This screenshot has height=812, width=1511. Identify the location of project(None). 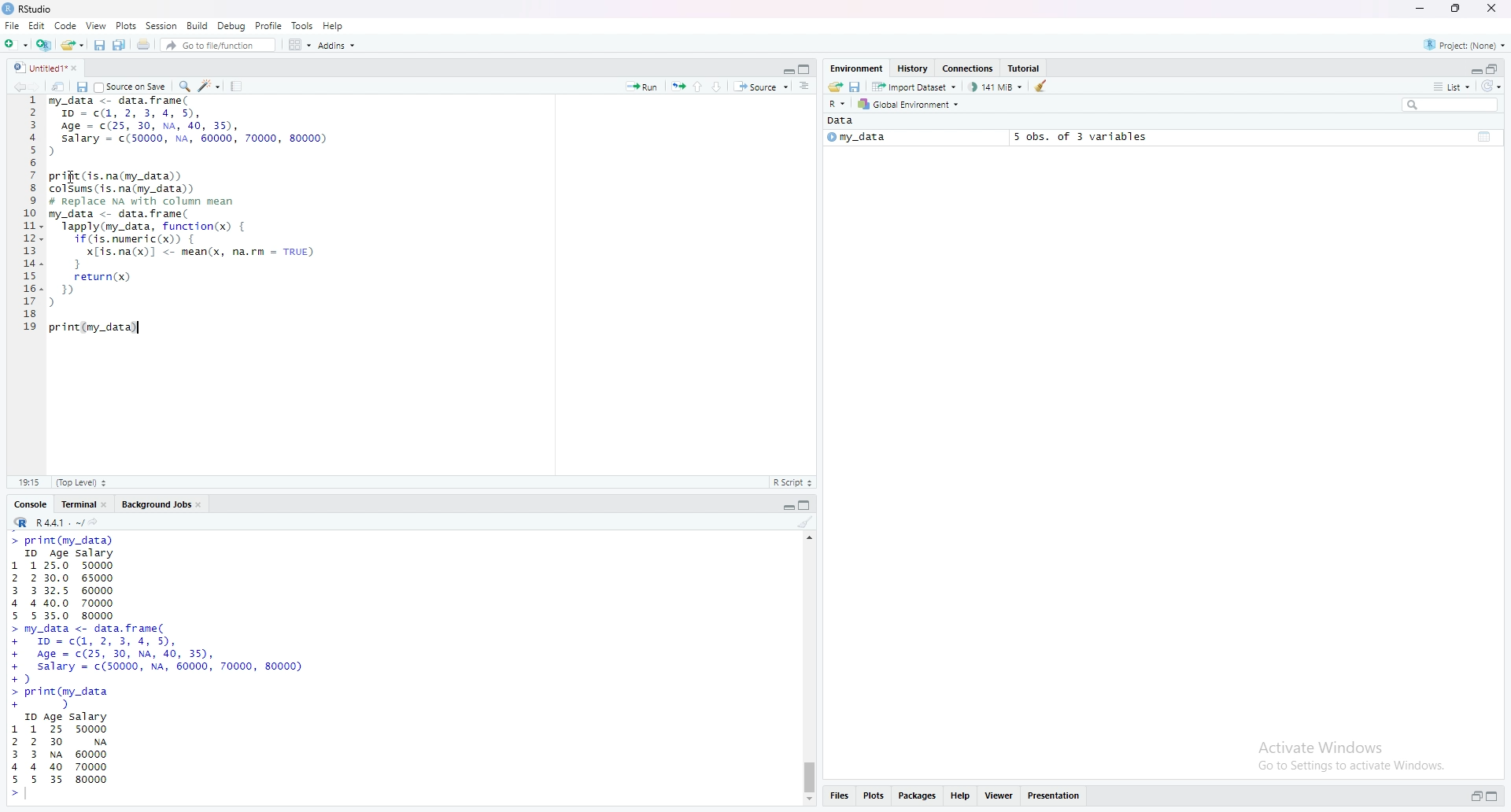
(1467, 47).